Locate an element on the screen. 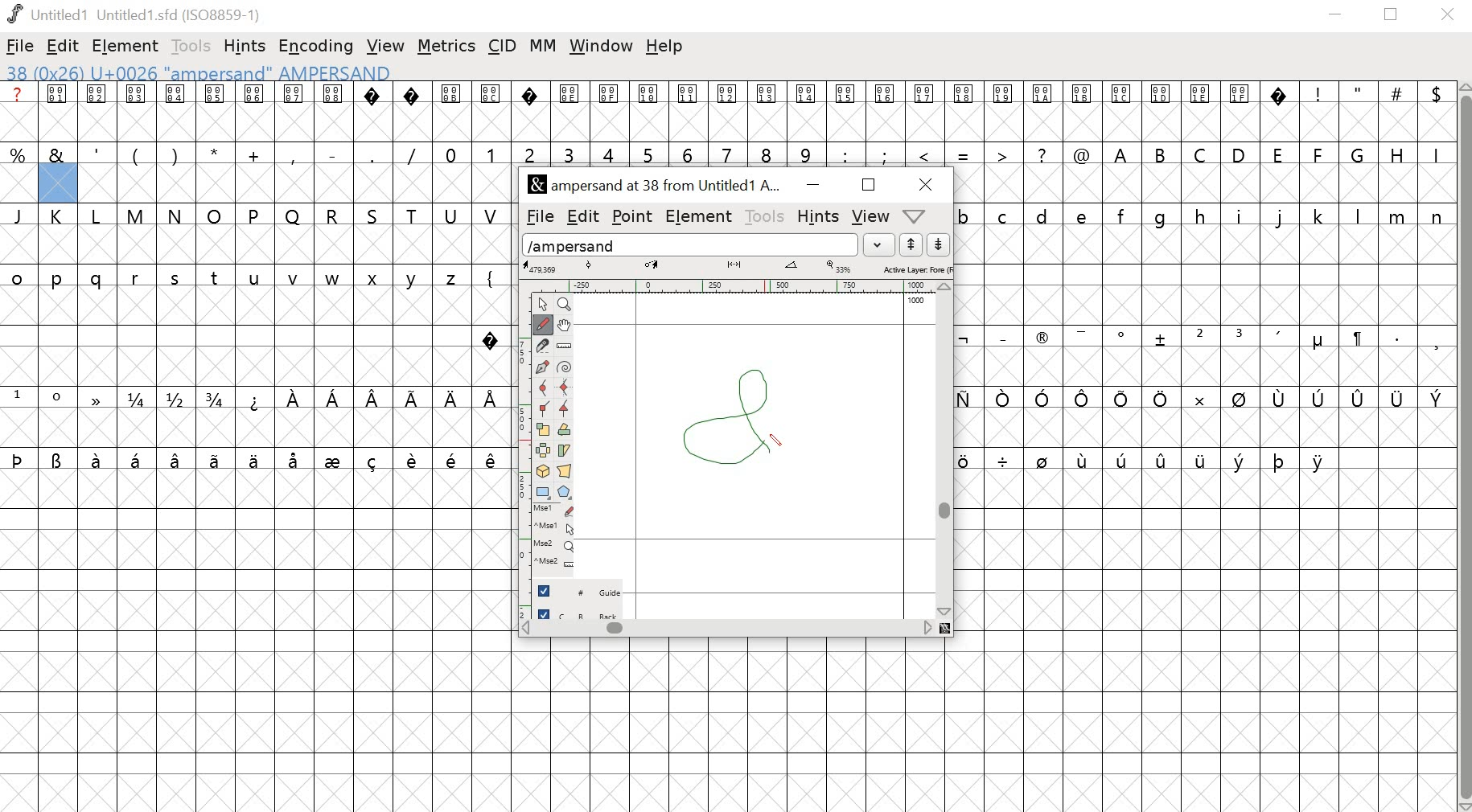 The width and height of the screenshot is (1472, 812). drawing glyphy is located at coordinates (738, 414).